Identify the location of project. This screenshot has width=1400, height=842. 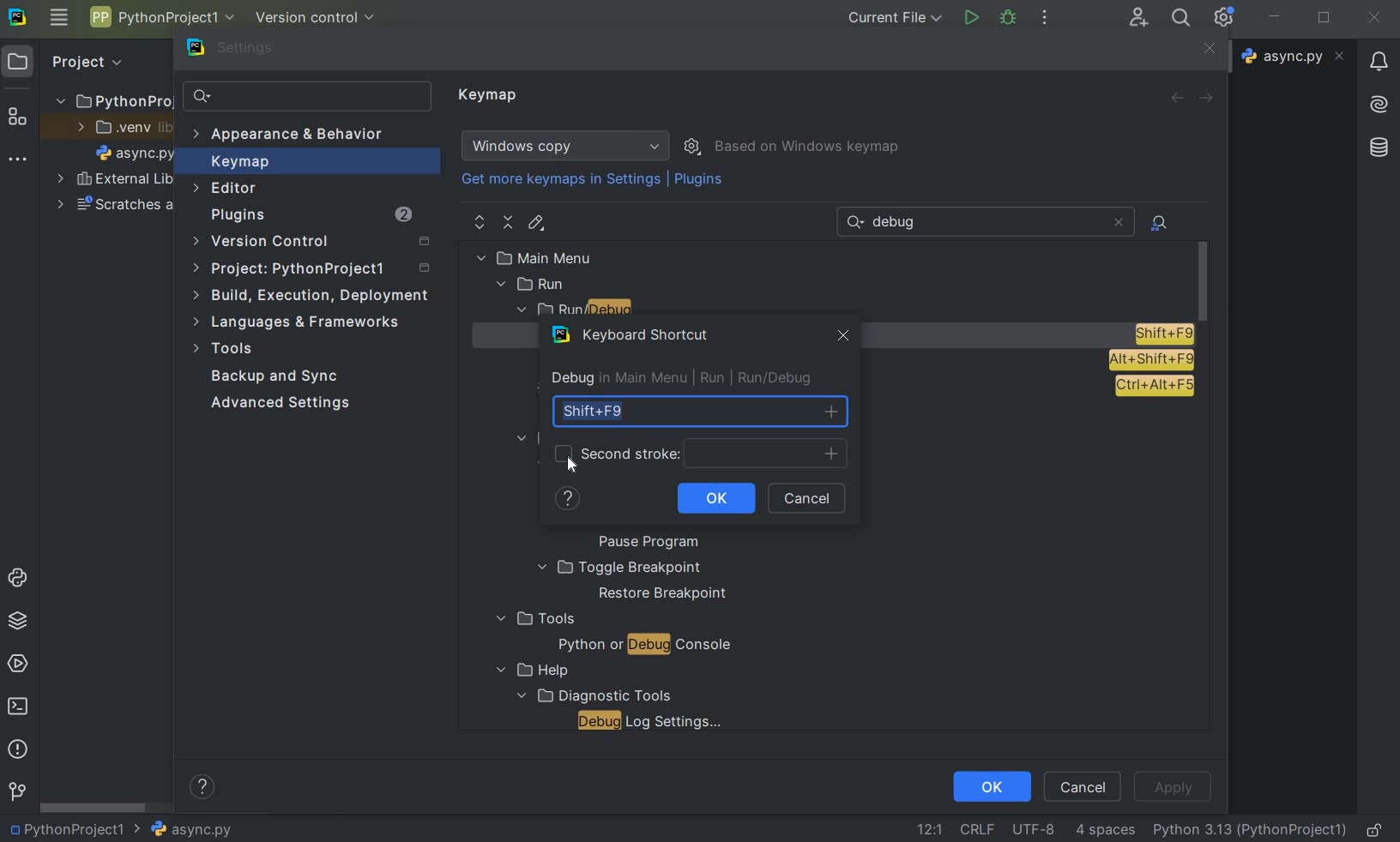
(314, 271).